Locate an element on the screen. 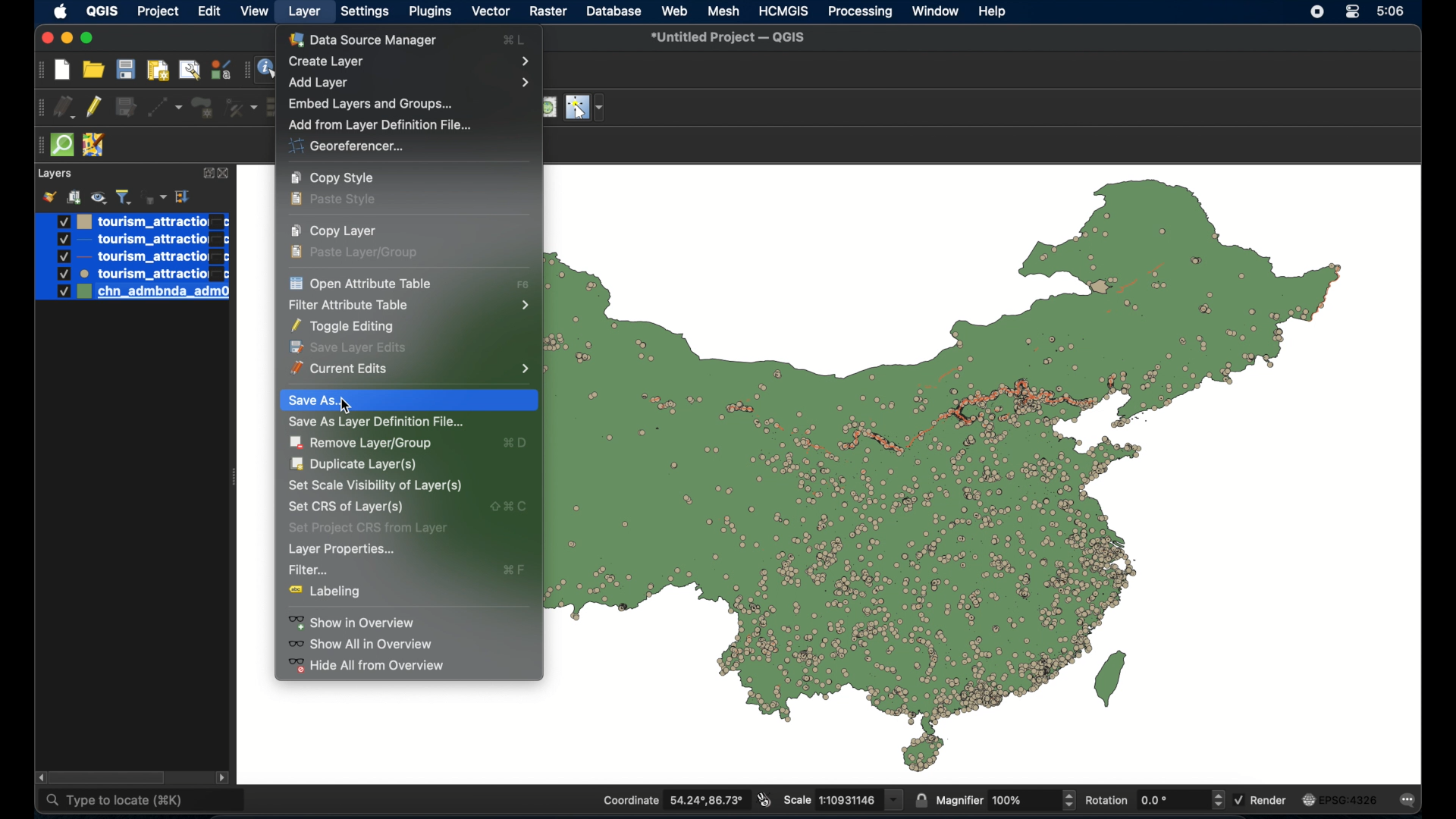  add group is located at coordinates (74, 195).